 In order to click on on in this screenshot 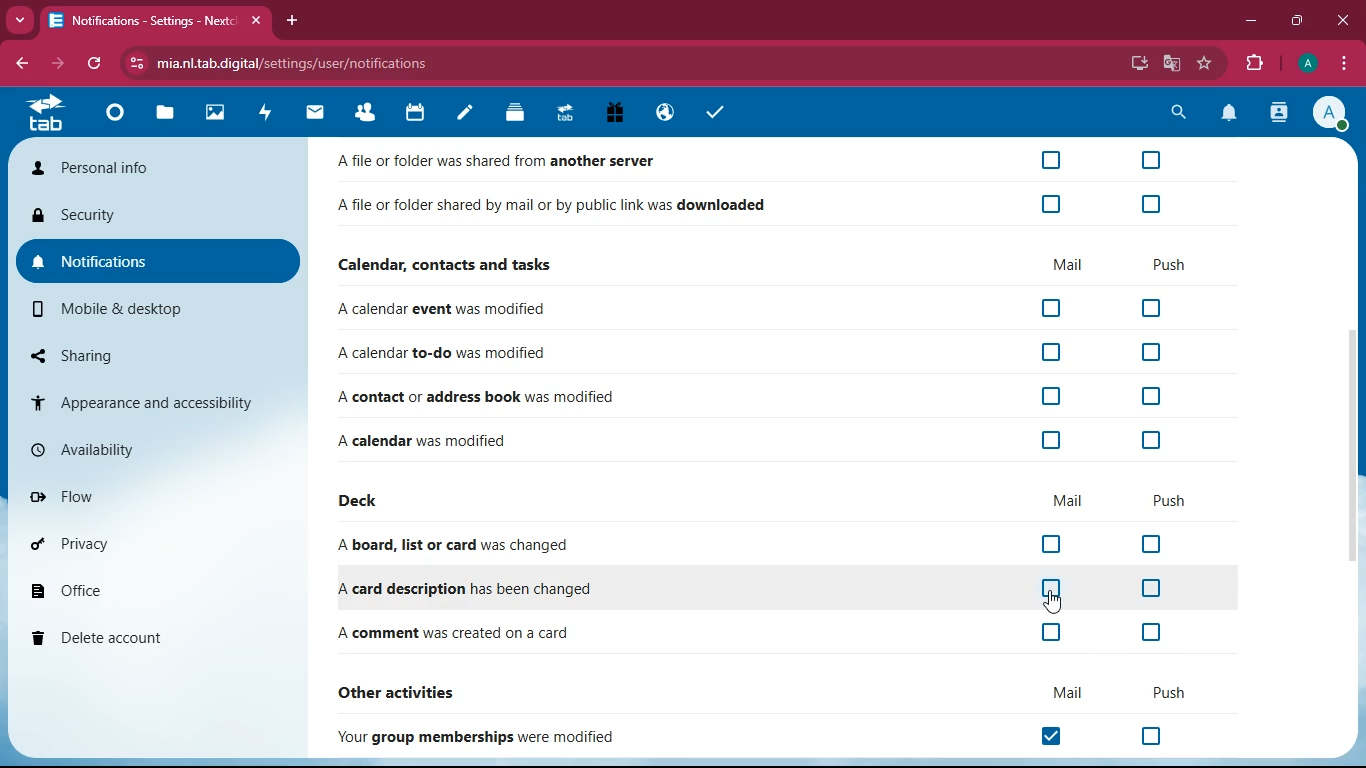, I will do `click(1058, 737)`.